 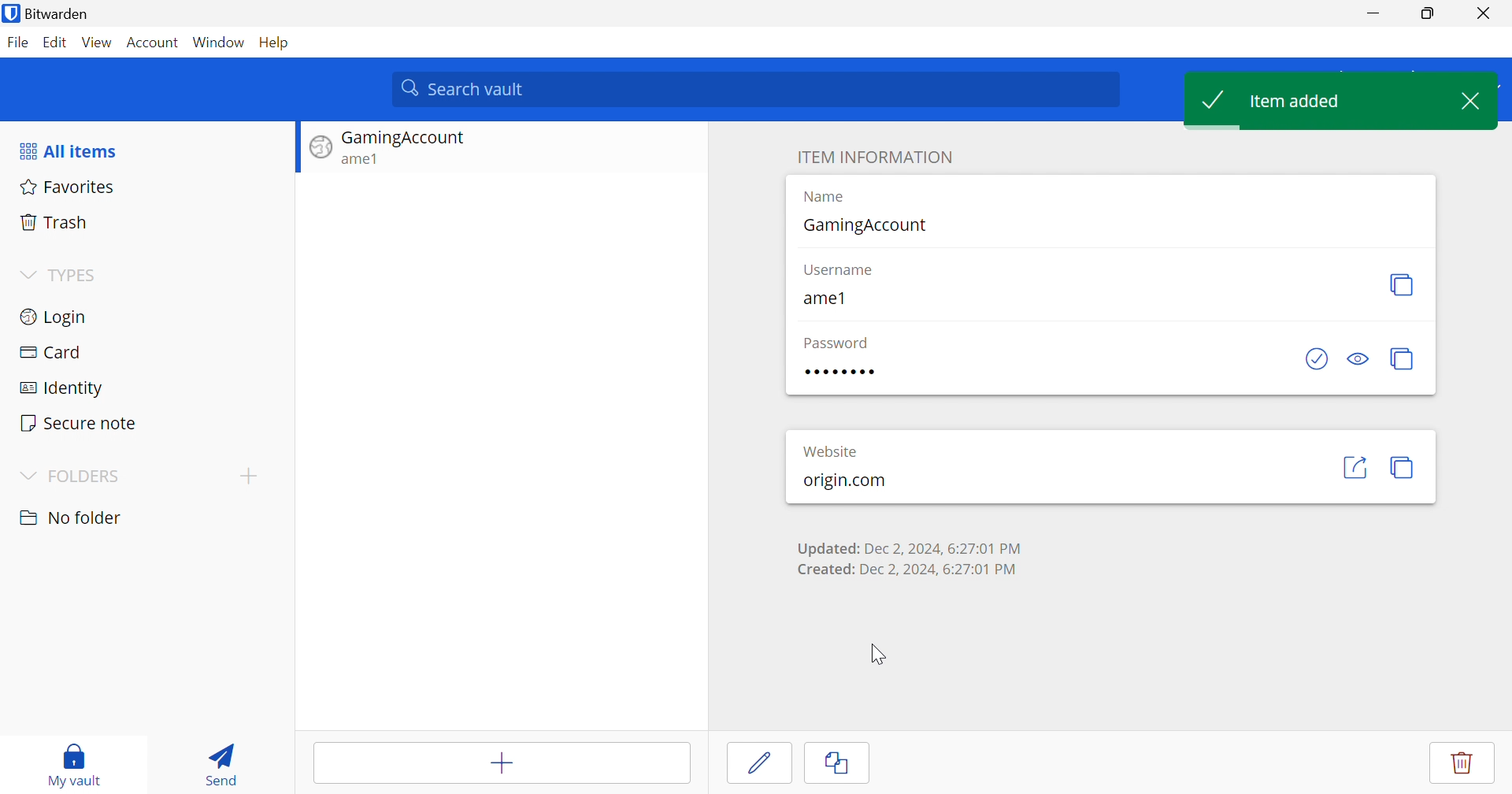 What do you see at coordinates (72, 762) in the screenshot?
I see `My vault` at bounding box center [72, 762].